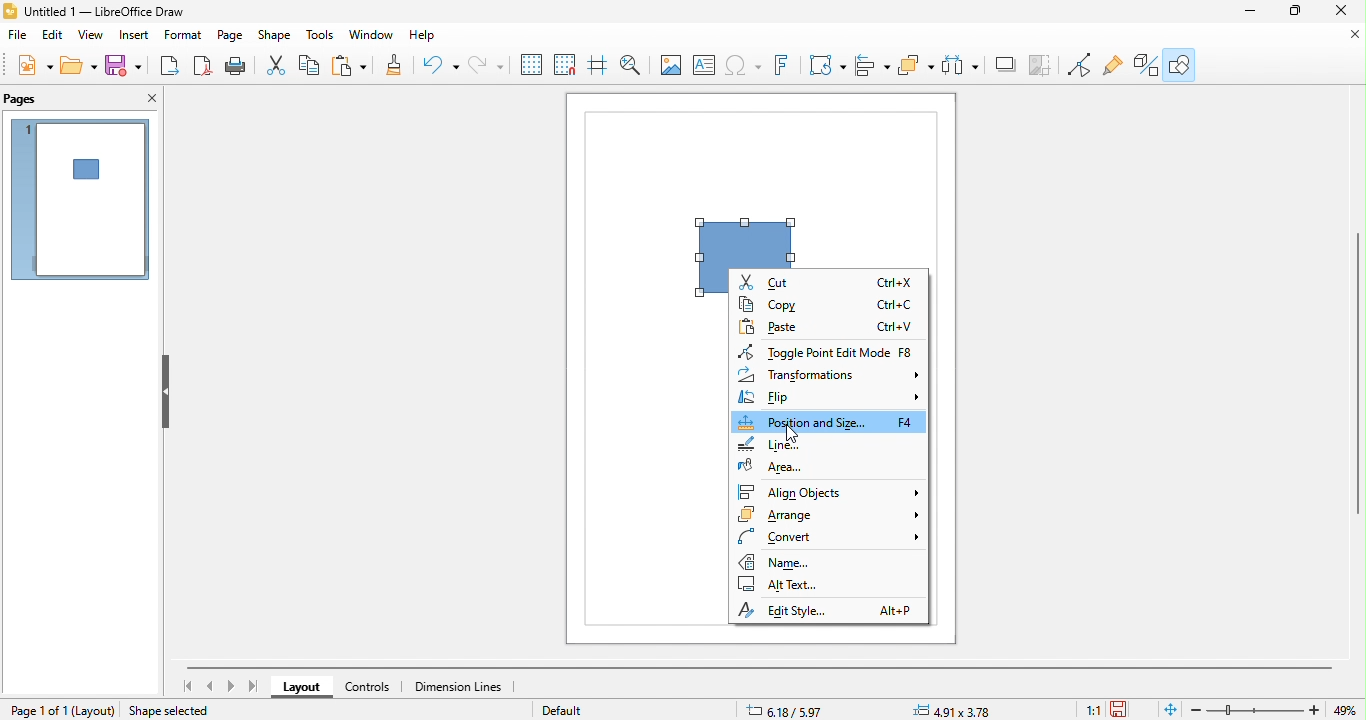 This screenshot has height=720, width=1366. Describe the element at coordinates (704, 66) in the screenshot. I see `text box` at that location.